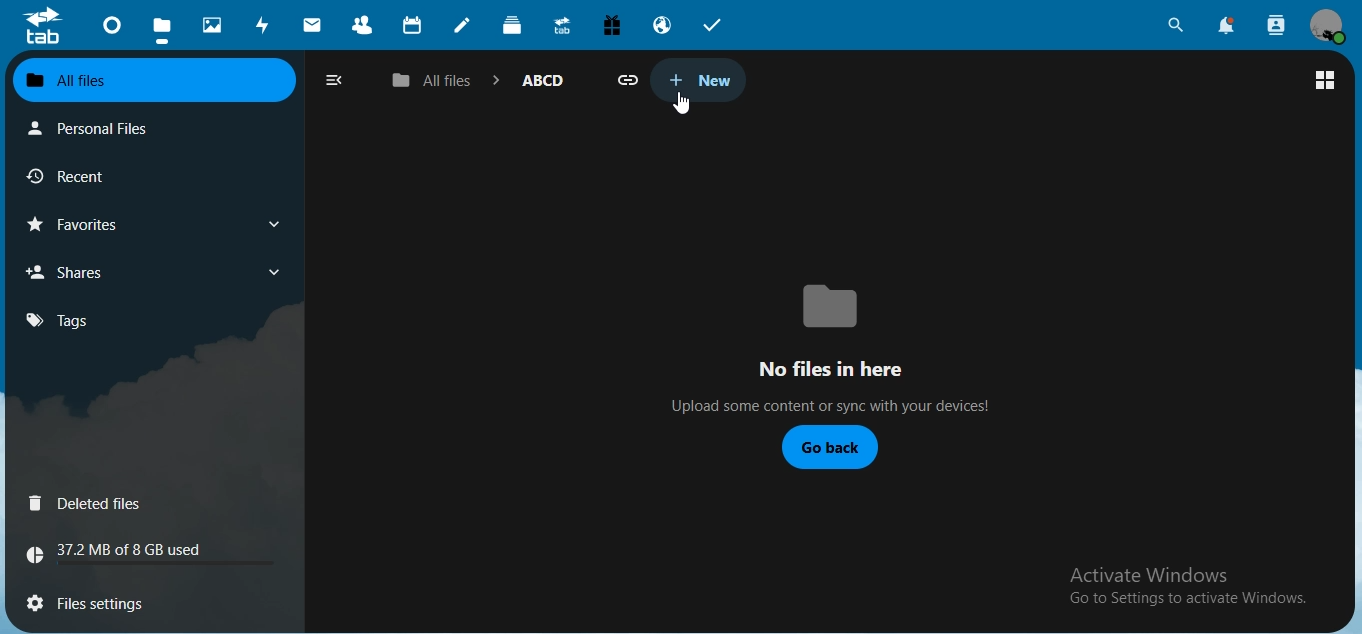 This screenshot has width=1362, height=634. What do you see at coordinates (1273, 24) in the screenshot?
I see `search contacts` at bounding box center [1273, 24].